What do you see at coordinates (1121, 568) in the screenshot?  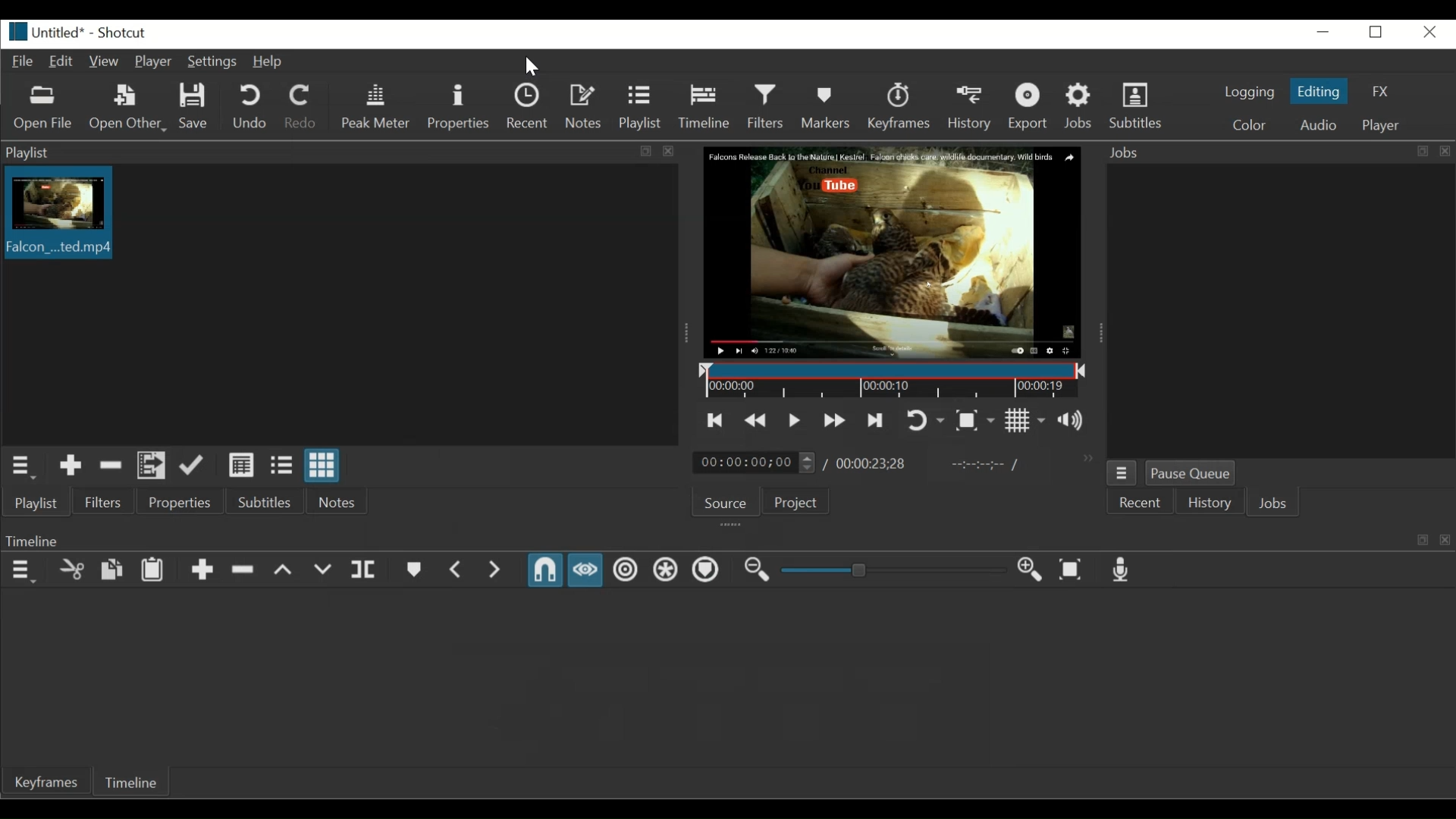 I see `Record audio` at bounding box center [1121, 568].